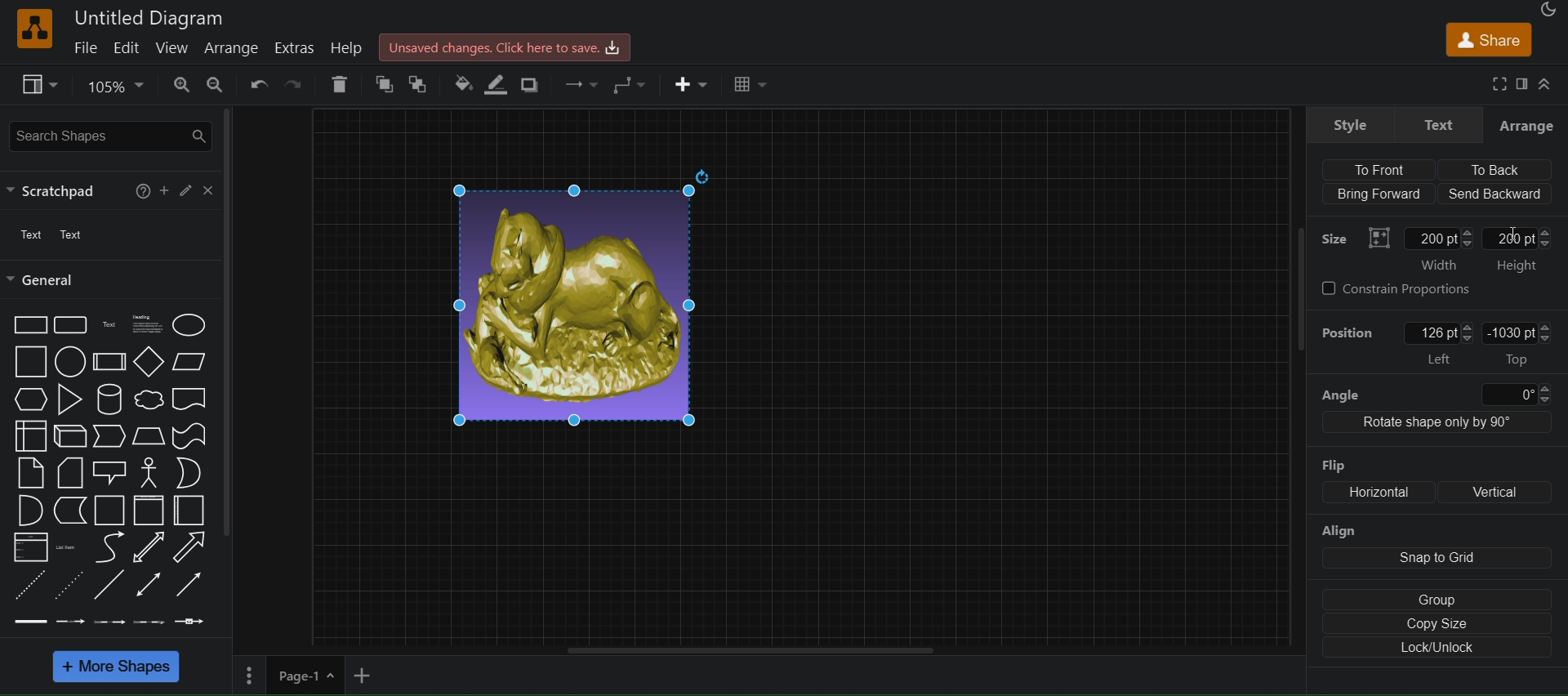 The image size is (1568, 696). What do you see at coordinates (295, 47) in the screenshot?
I see `extras` at bounding box center [295, 47].